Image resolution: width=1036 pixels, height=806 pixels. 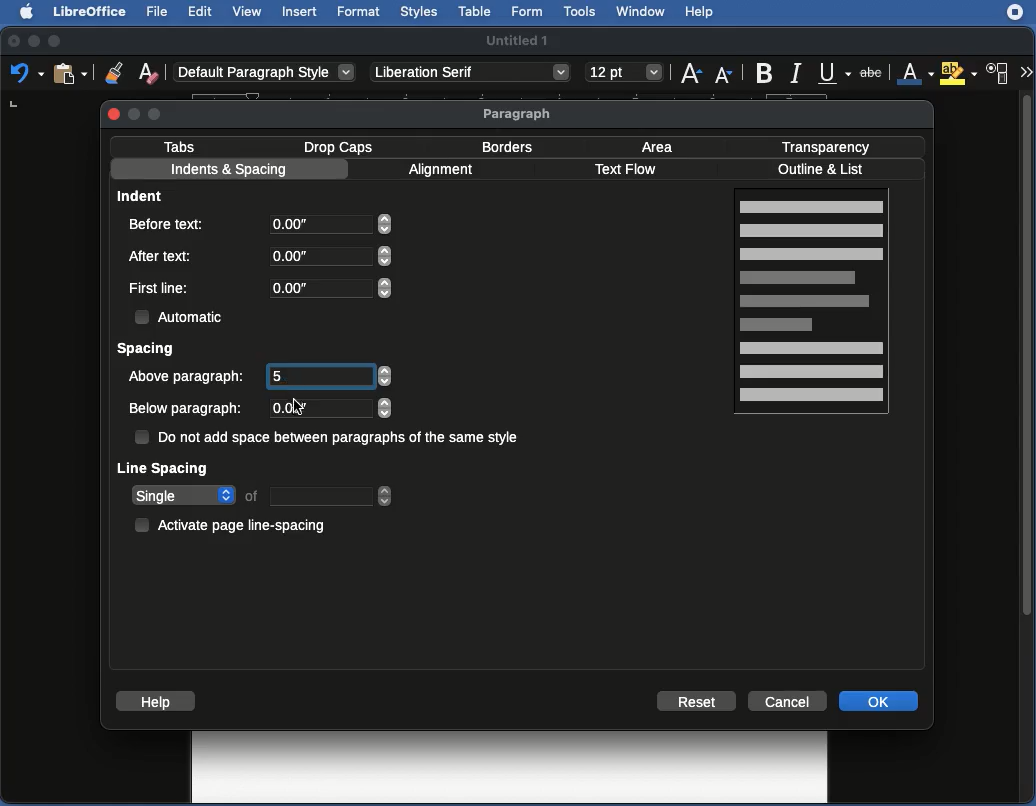 I want to click on Cancel, so click(x=789, y=700).